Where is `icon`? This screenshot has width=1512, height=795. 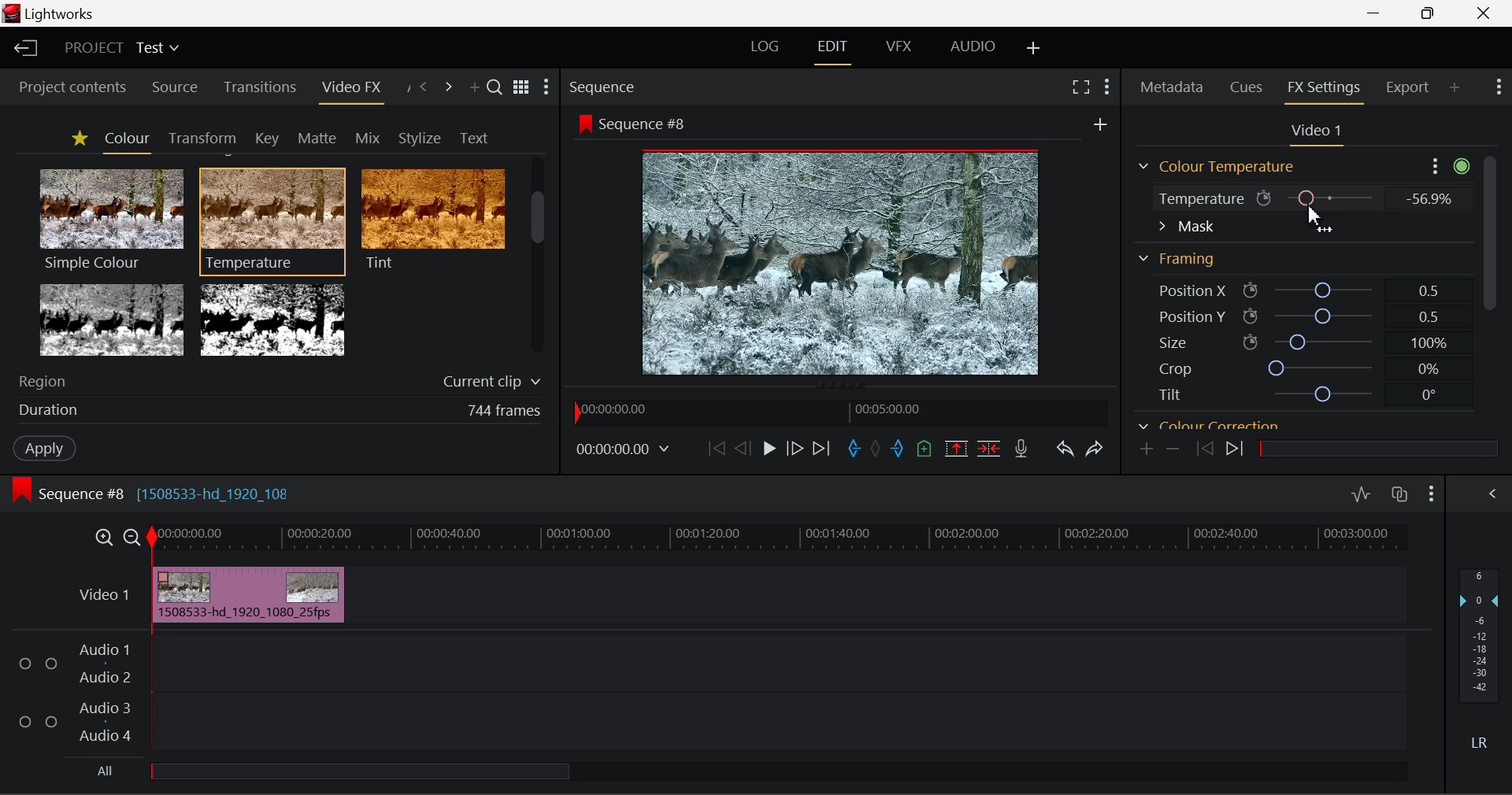
icon is located at coordinates (584, 124).